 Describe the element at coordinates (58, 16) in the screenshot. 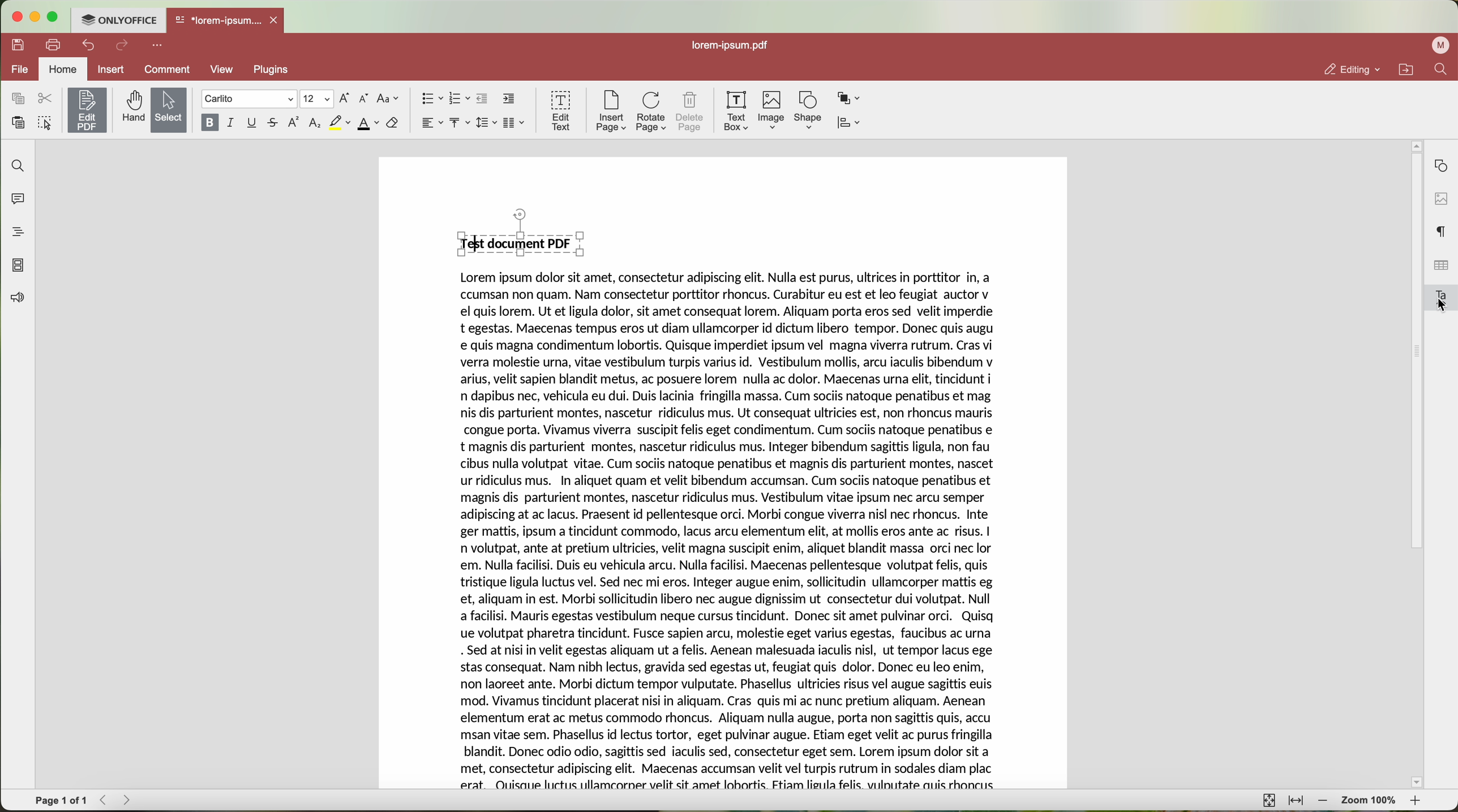

I see `maximize` at that location.